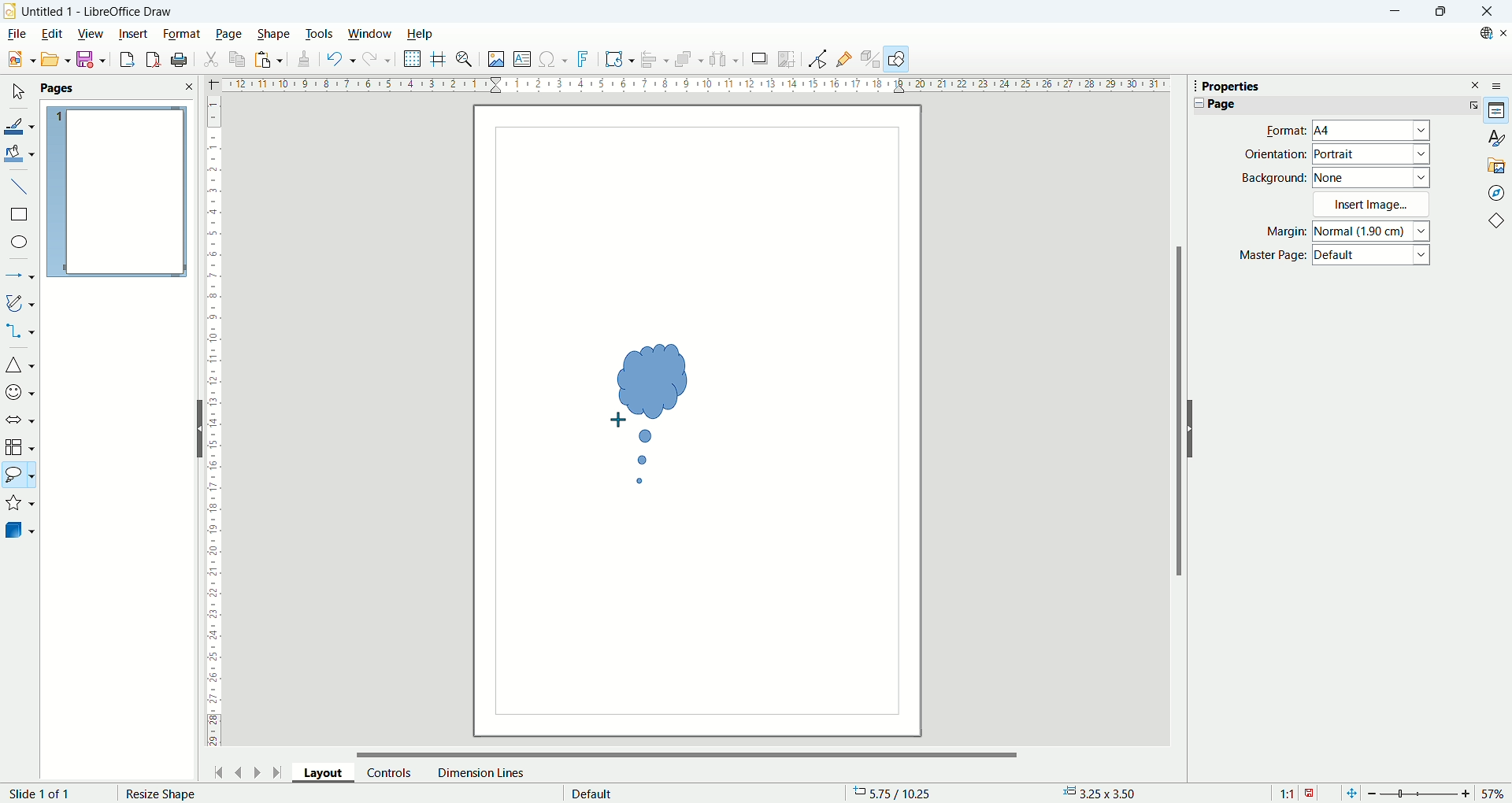 The height and width of the screenshot is (803, 1512). I want to click on Vetical ruler, so click(214, 425).